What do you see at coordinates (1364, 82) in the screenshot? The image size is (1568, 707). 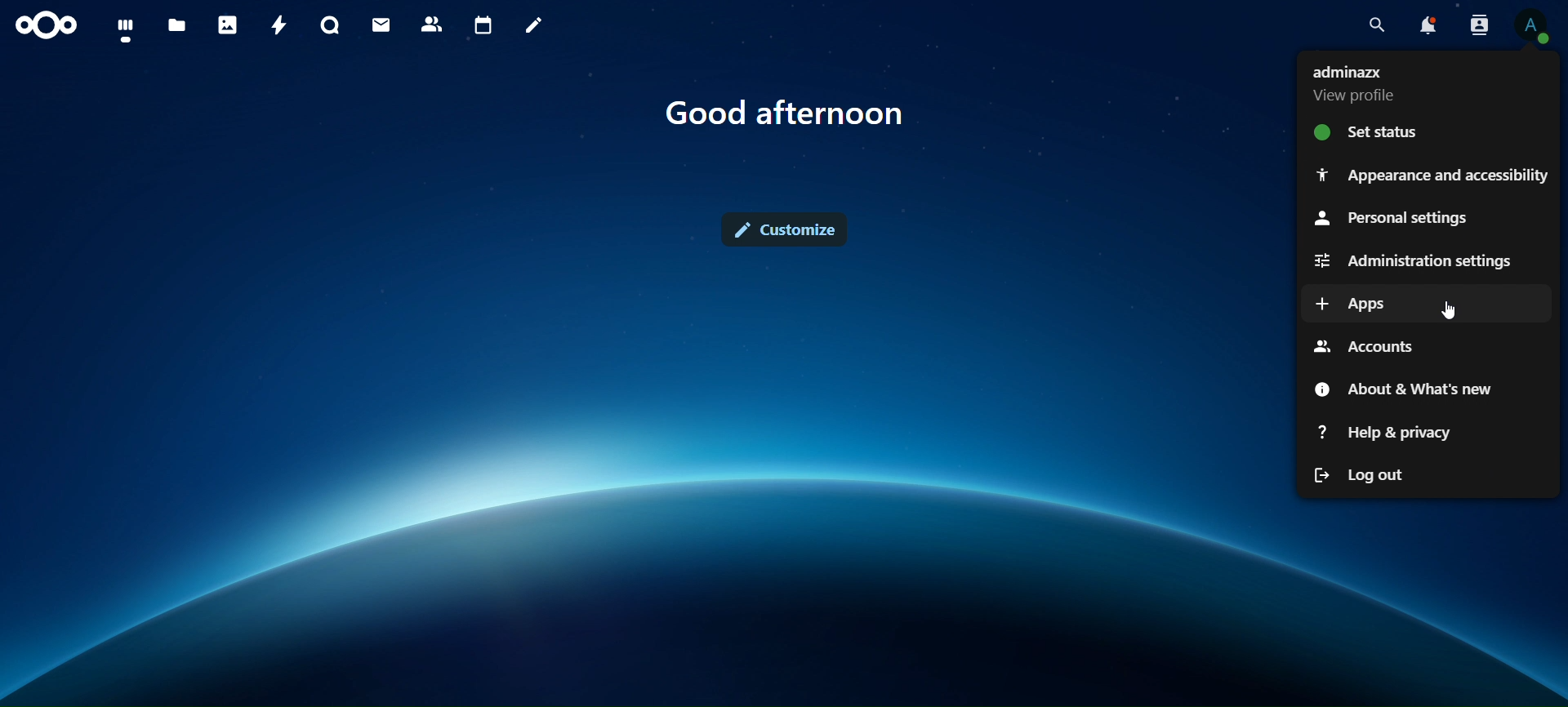 I see `view profile` at bounding box center [1364, 82].